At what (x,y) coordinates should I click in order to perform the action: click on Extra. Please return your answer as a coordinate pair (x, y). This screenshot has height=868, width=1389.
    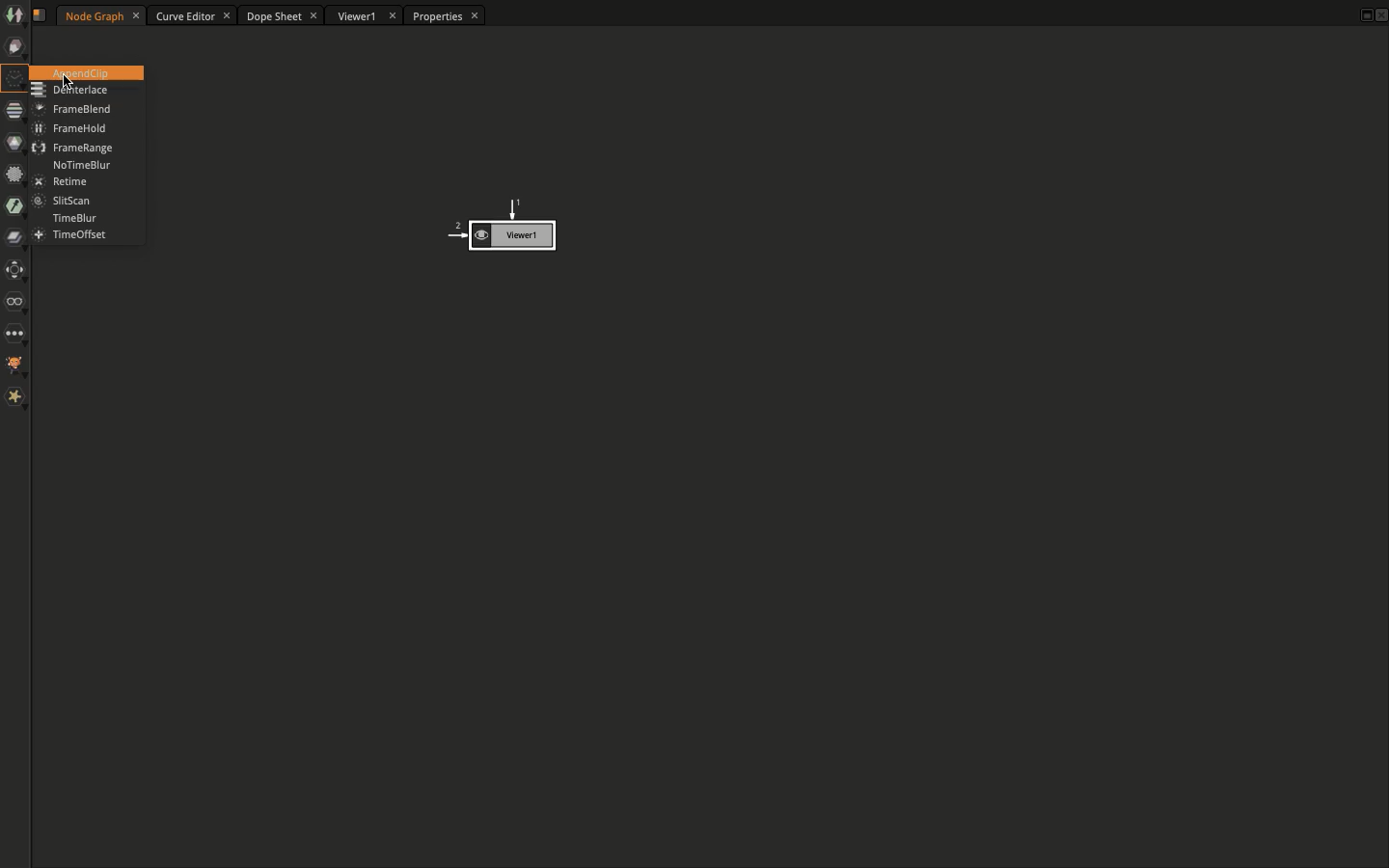
    Looking at the image, I should click on (15, 397).